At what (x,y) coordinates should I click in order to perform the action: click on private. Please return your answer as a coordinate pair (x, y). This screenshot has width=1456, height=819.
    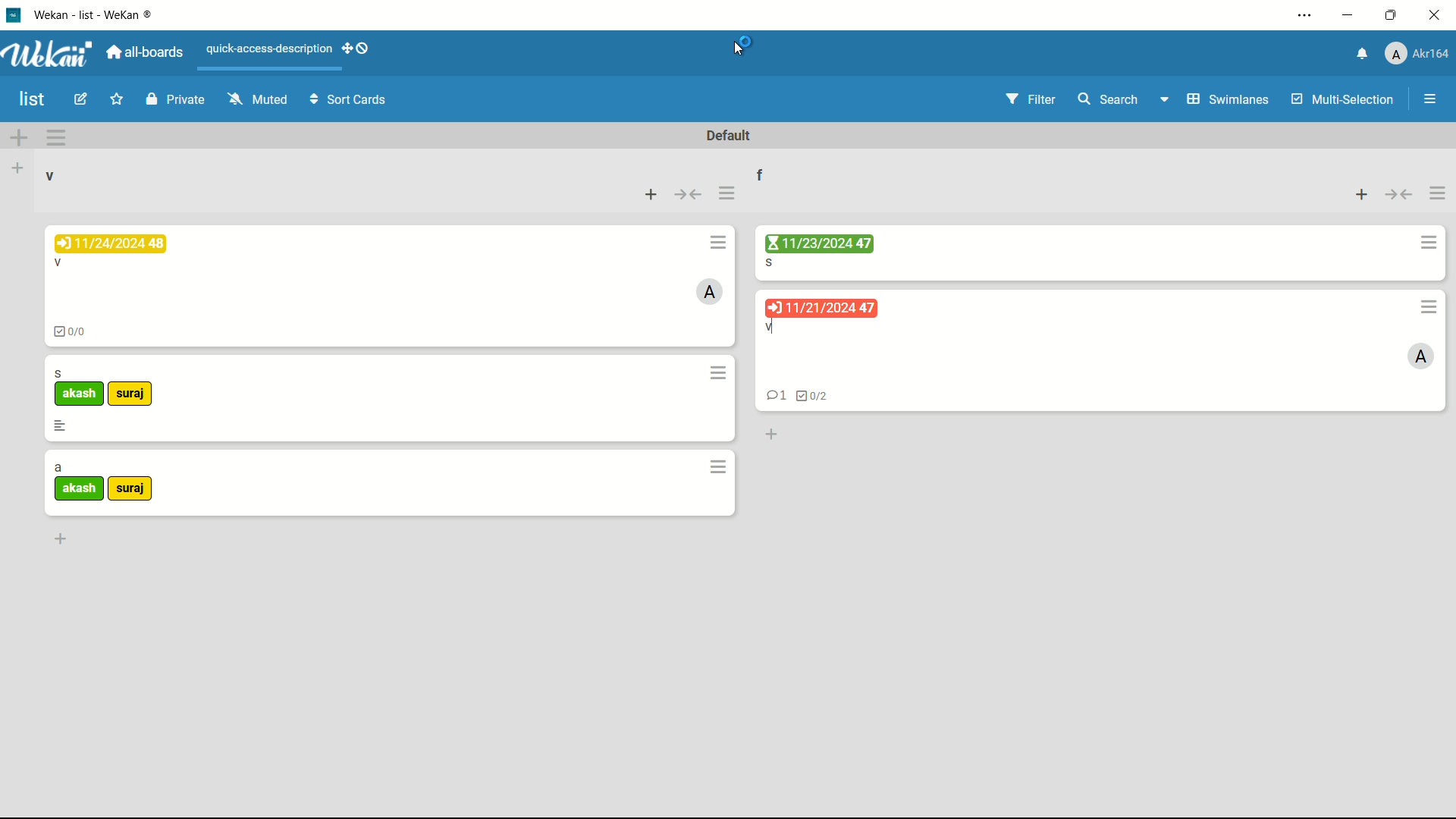
    Looking at the image, I should click on (178, 99).